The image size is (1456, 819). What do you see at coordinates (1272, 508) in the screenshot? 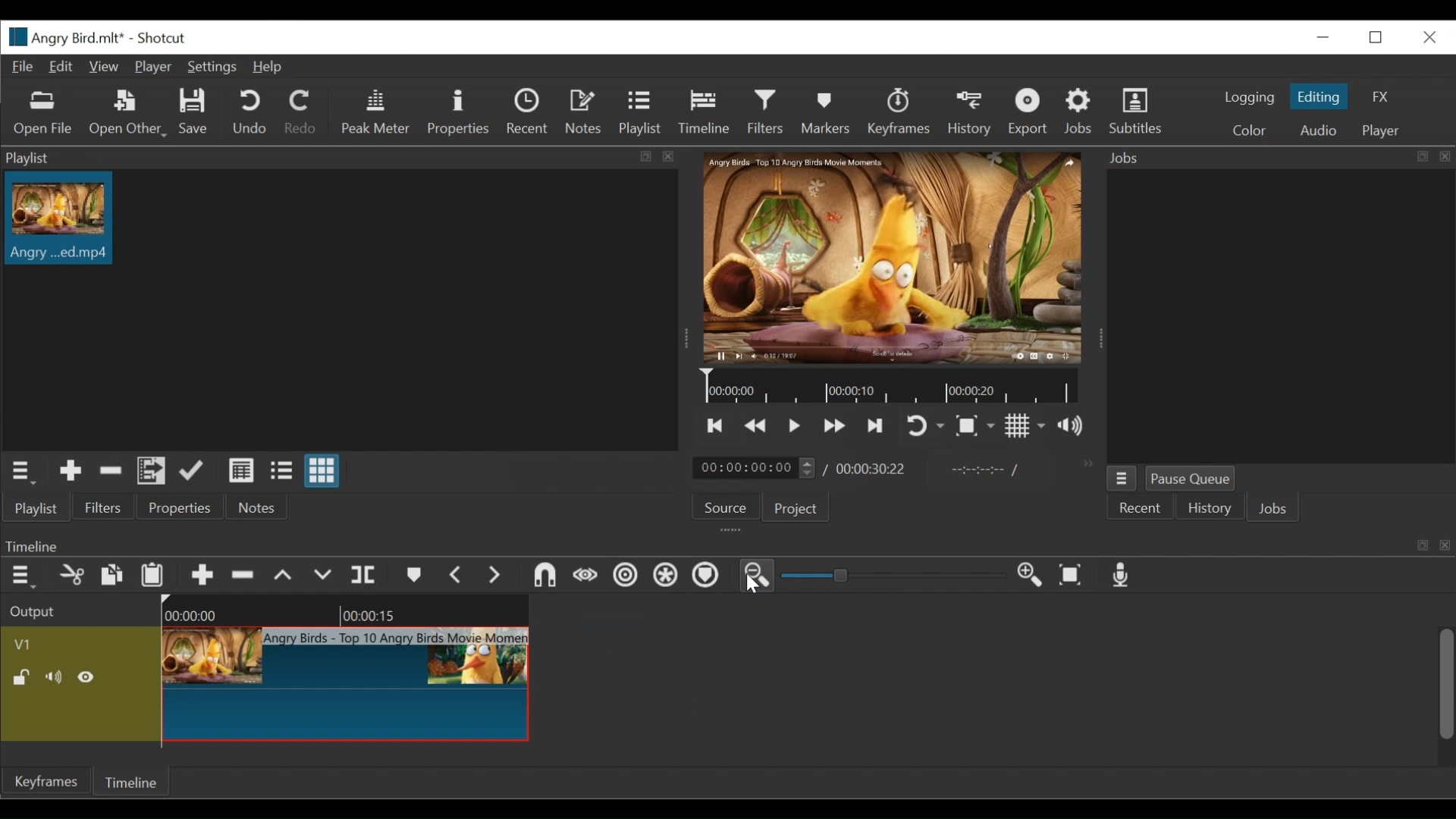
I see `Jobs` at bounding box center [1272, 508].